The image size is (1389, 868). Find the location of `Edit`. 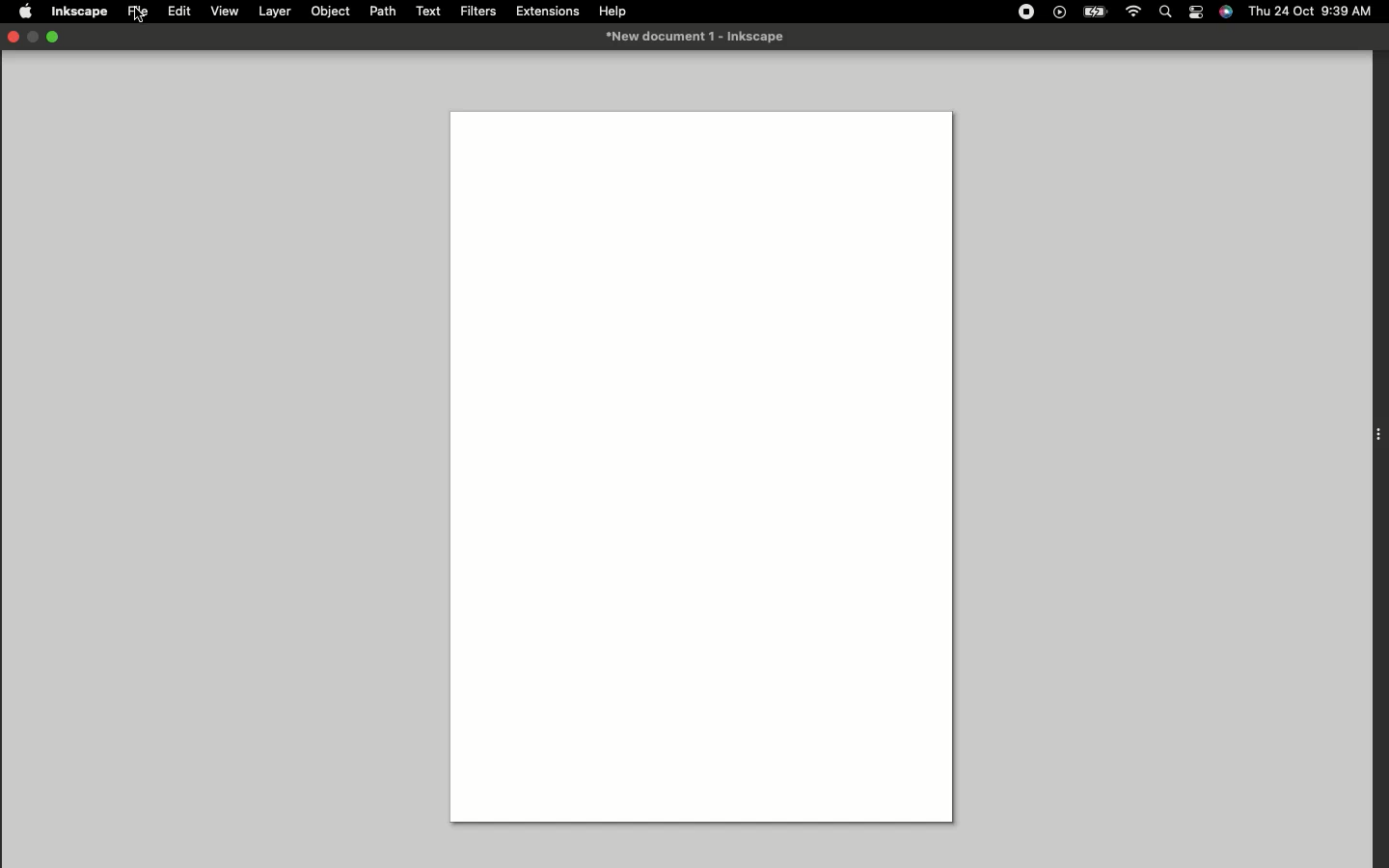

Edit is located at coordinates (177, 12).